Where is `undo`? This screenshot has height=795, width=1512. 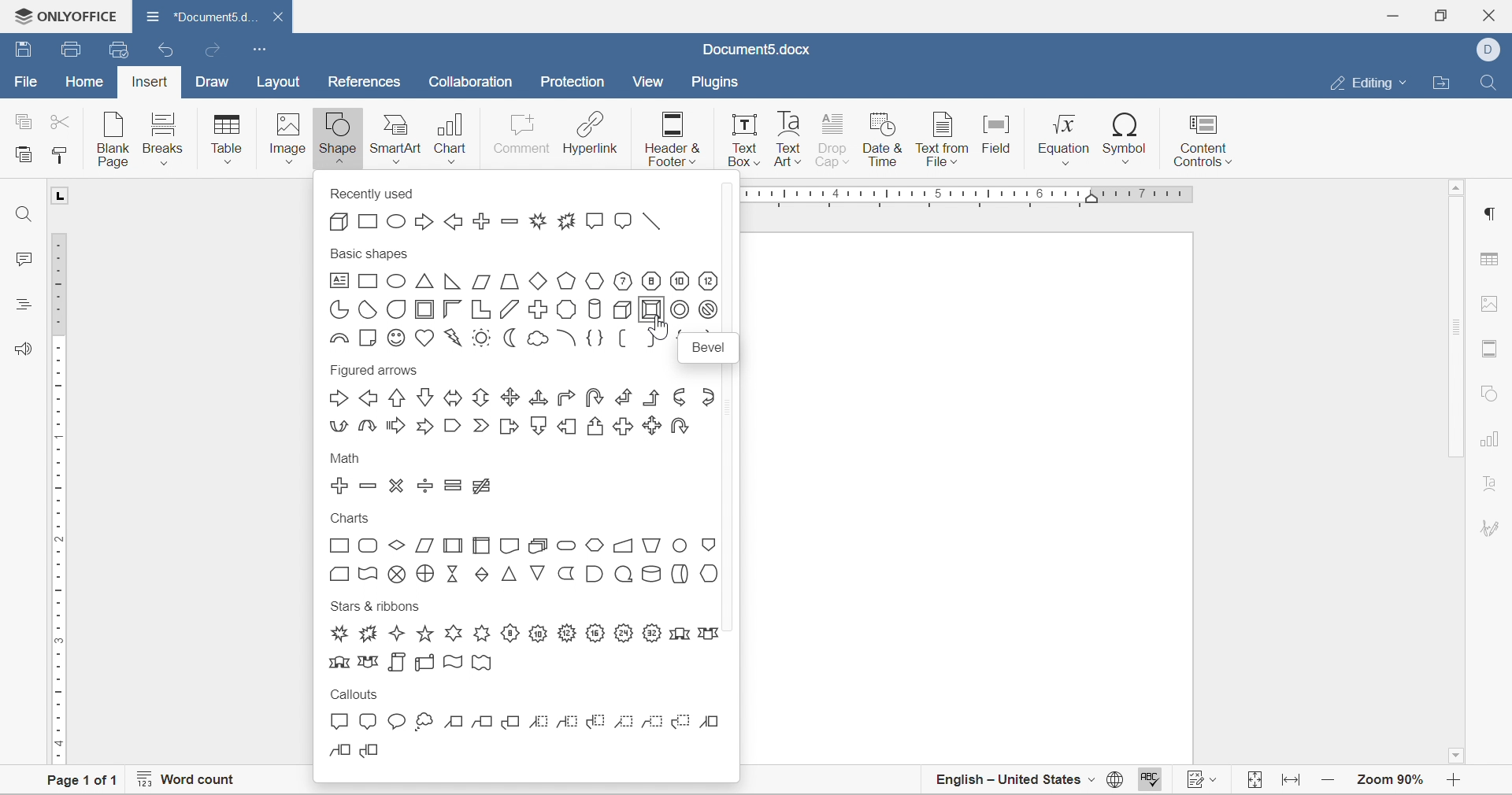
undo is located at coordinates (165, 50).